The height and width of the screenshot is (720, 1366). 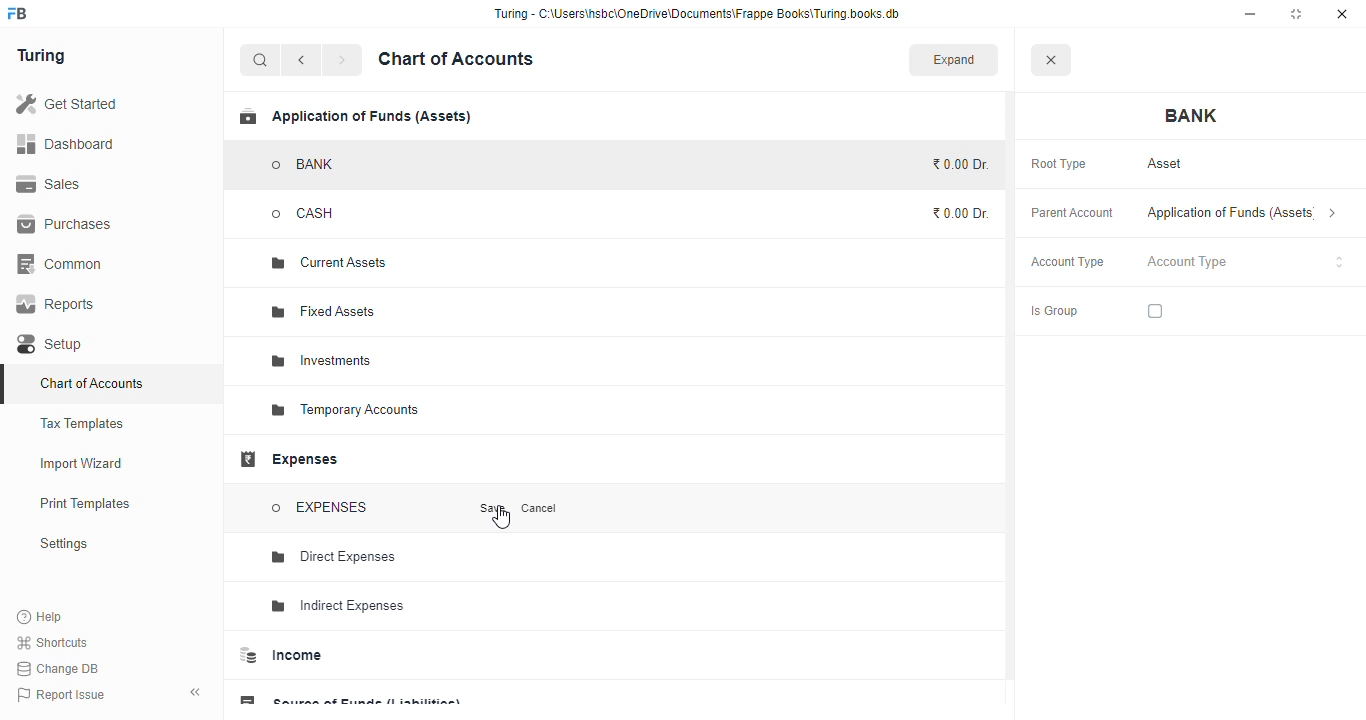 What do you see at coordinates (335, 557) in the screenshot?
I see `direct expenses` at bounding box center [335, 557].